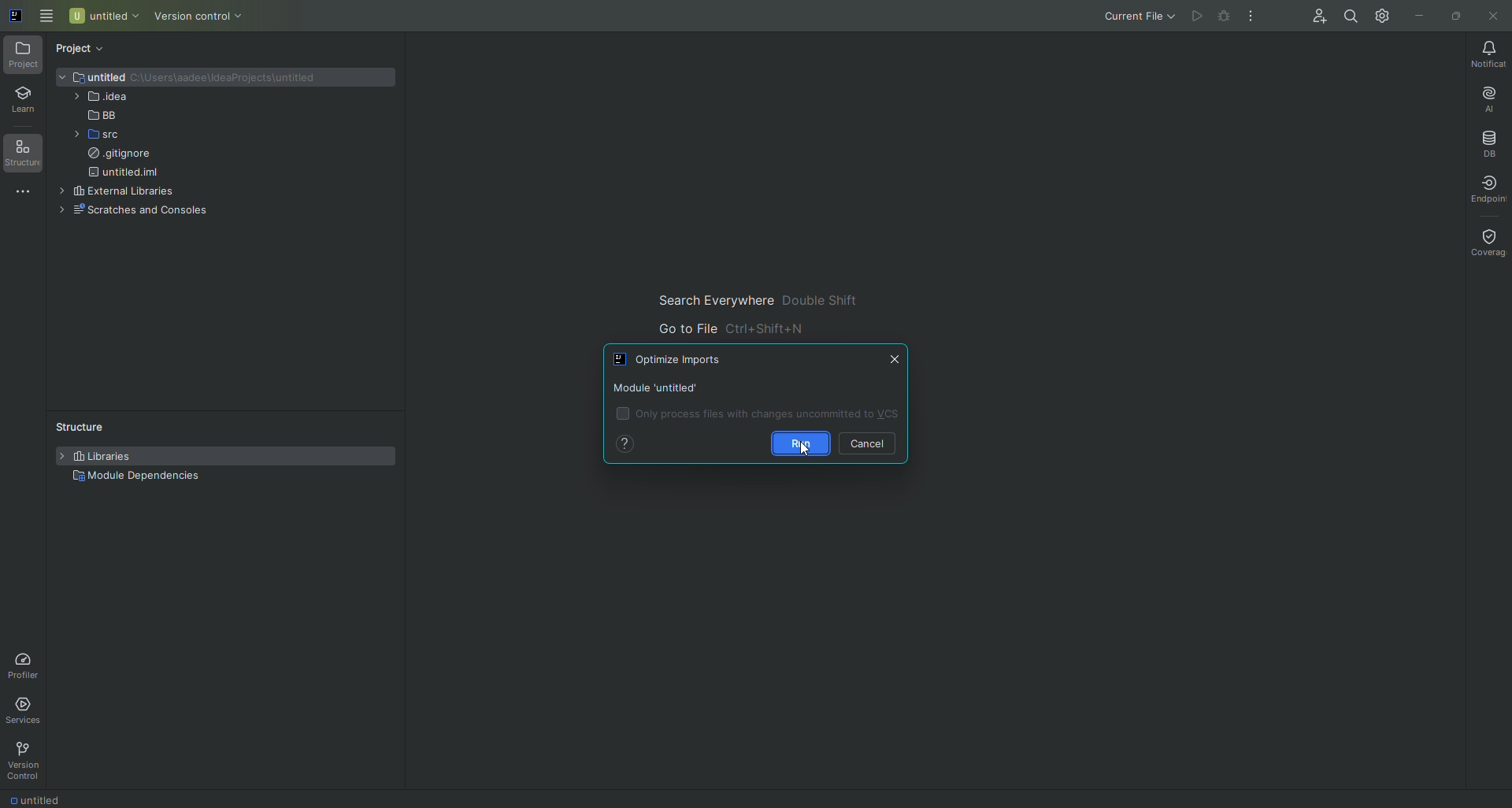 The image size is (1512, 808). I want to click on Updates and Settings, so click(1381, 17).